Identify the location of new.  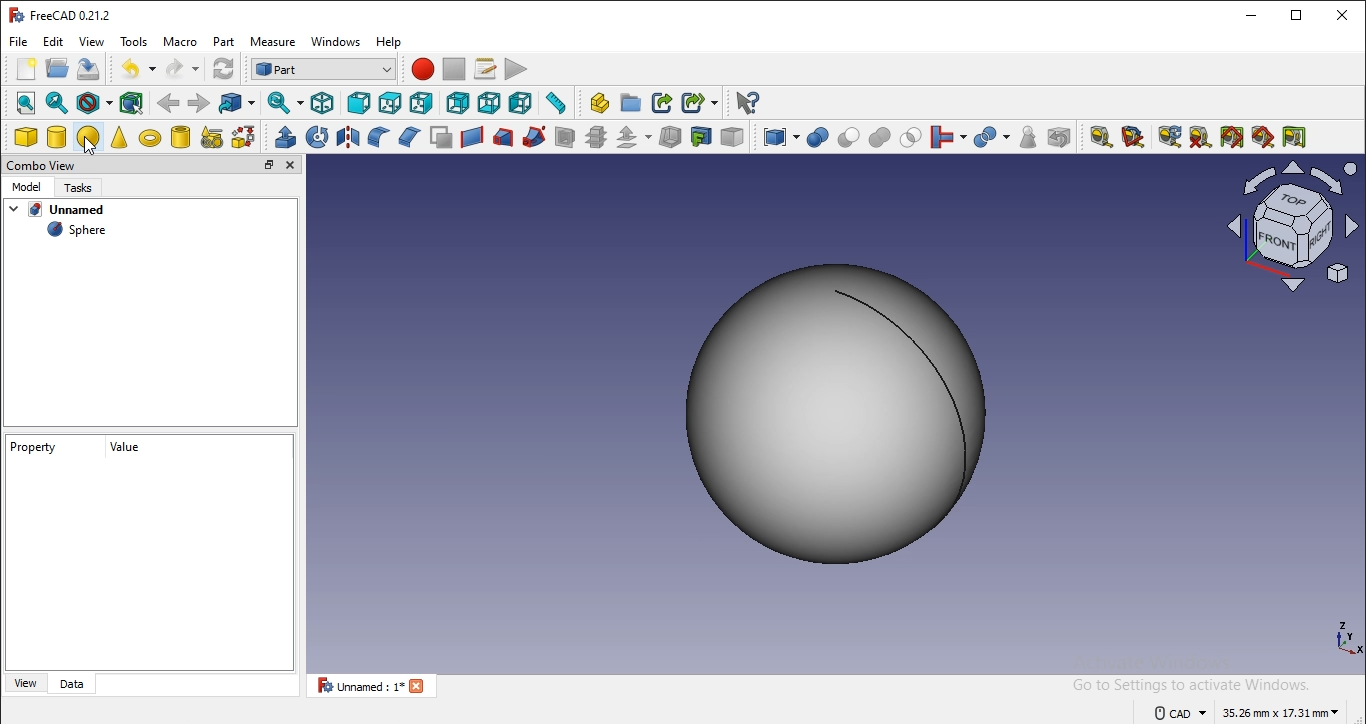
(26, 68).